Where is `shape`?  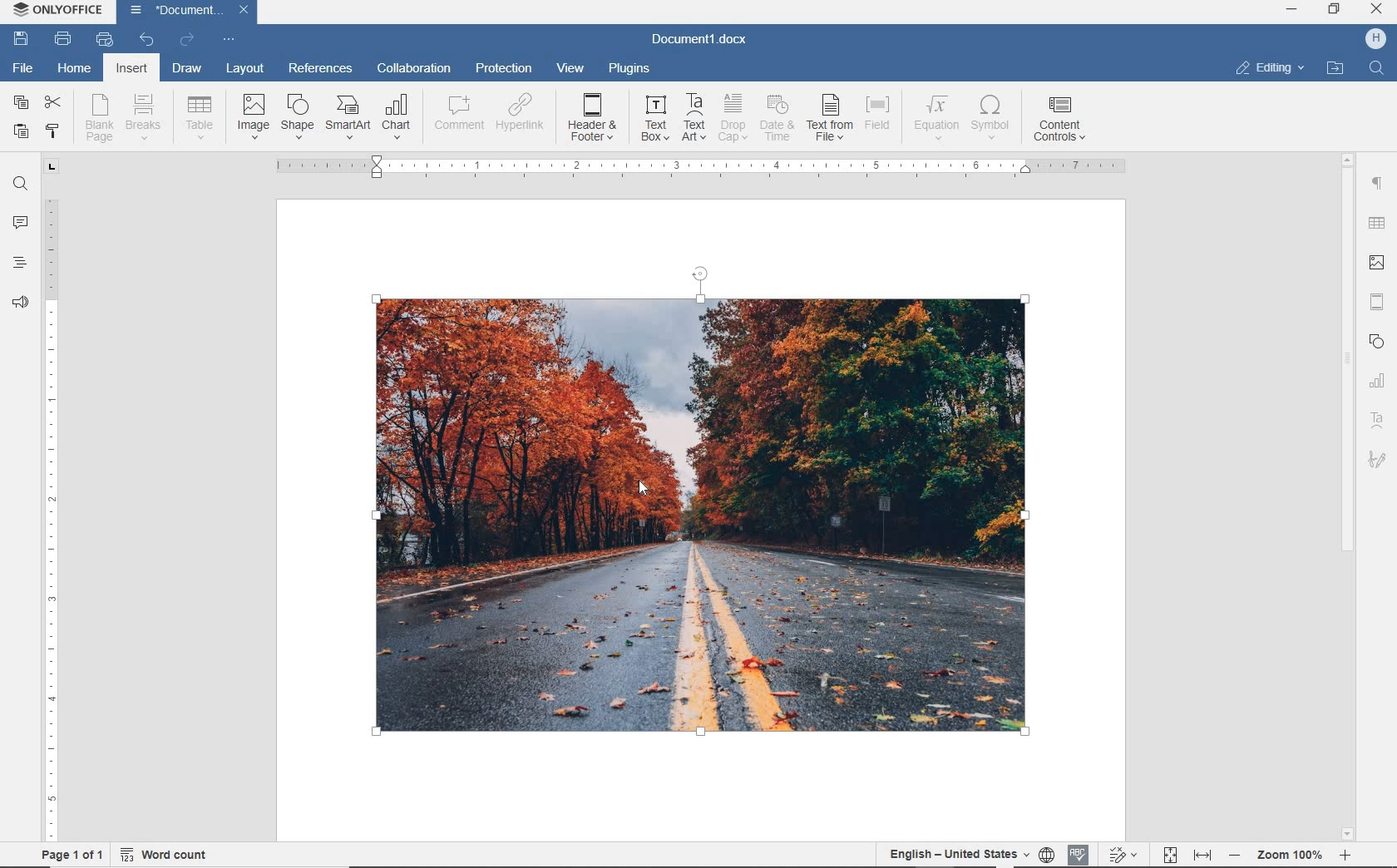
shape is located at coordinates (298, 116).